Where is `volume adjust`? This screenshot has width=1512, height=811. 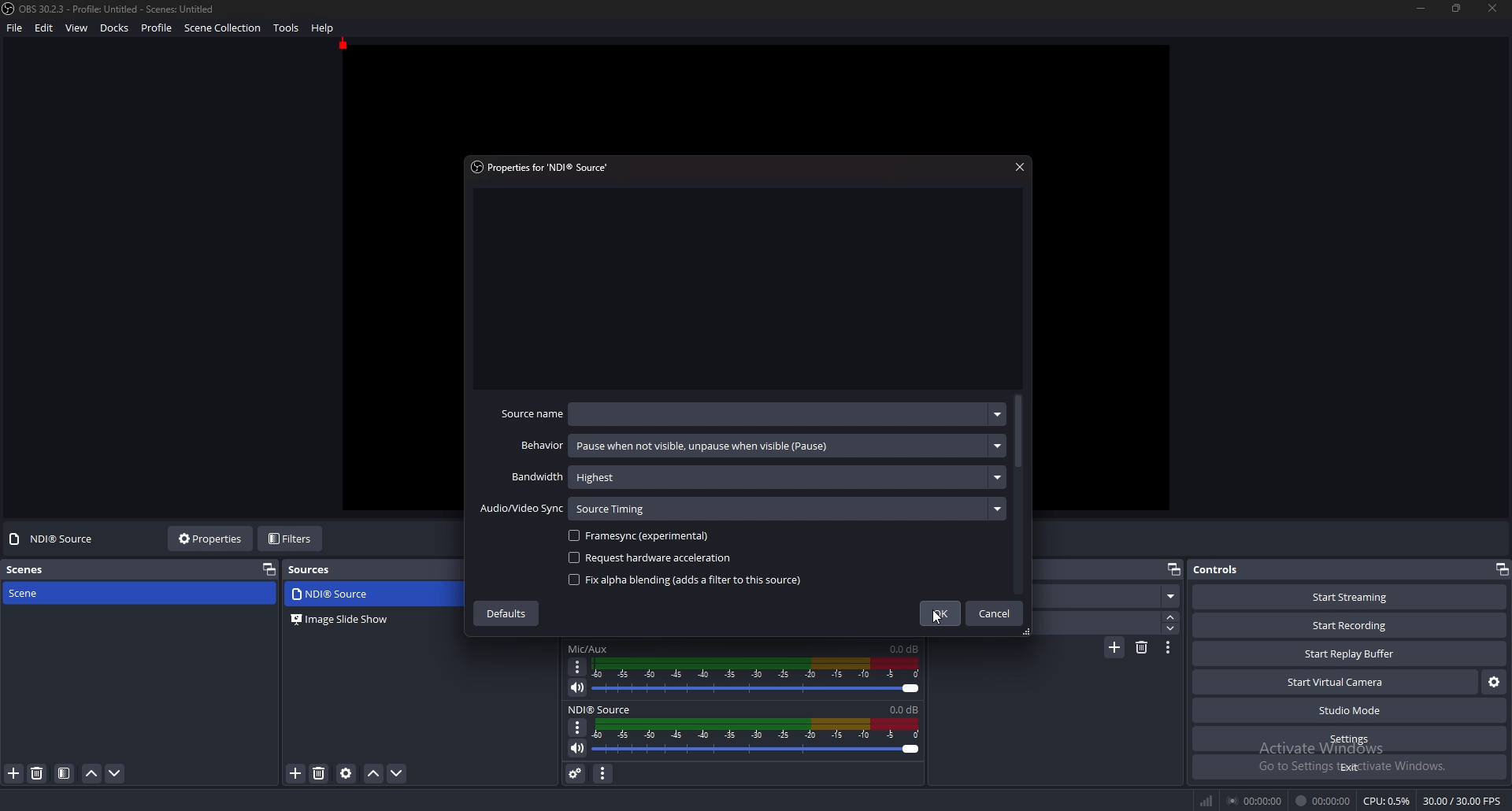
volume adjust is located at coordinates (764, 737).